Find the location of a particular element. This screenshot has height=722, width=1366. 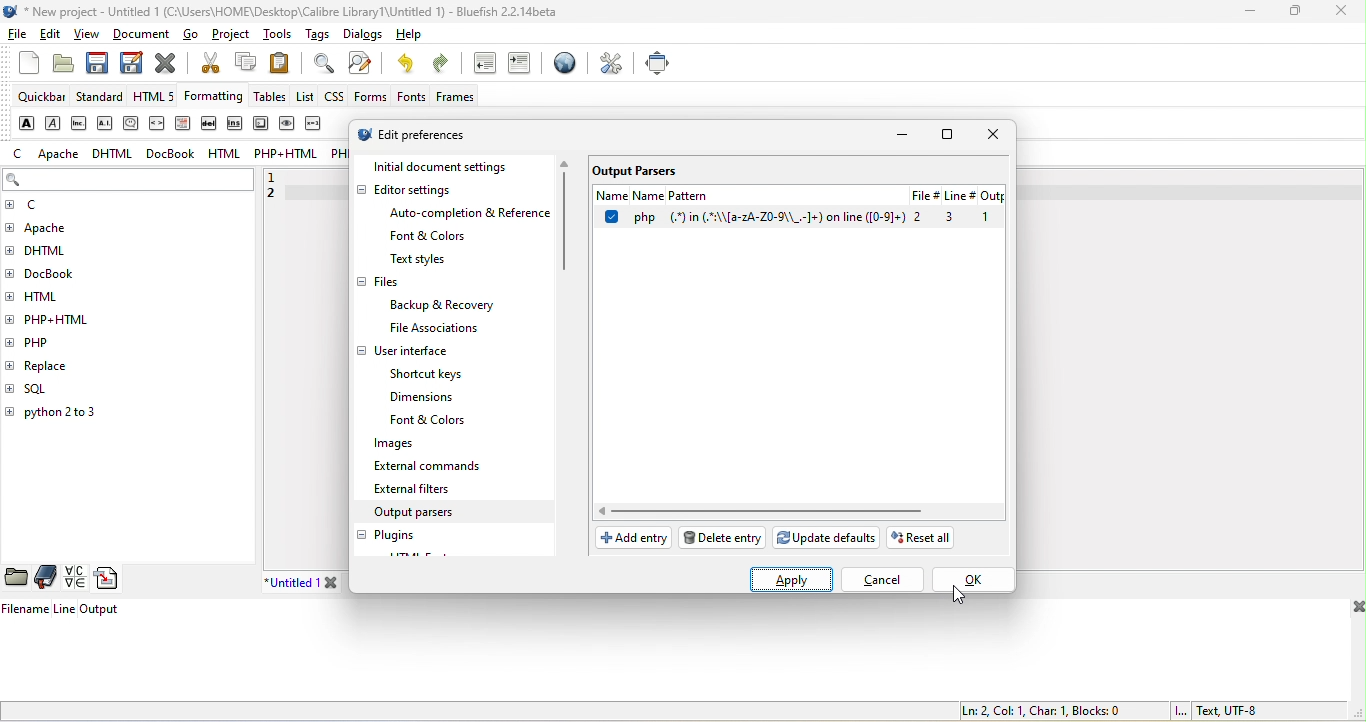

apache is located at coordinates (57, 152).